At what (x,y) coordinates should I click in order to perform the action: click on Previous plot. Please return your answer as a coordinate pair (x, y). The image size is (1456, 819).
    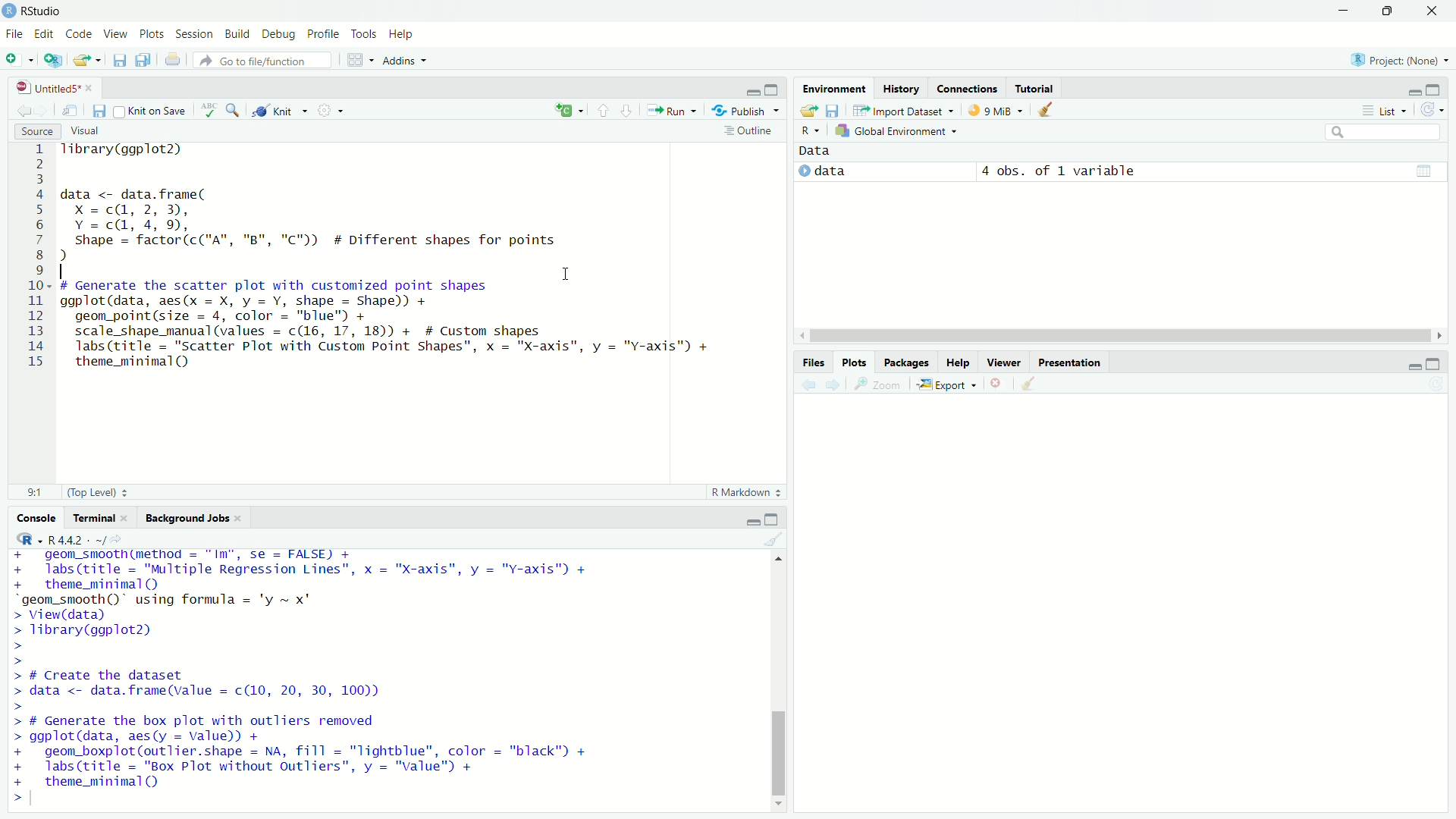
    Looking at the image, I should click on (808, 383).